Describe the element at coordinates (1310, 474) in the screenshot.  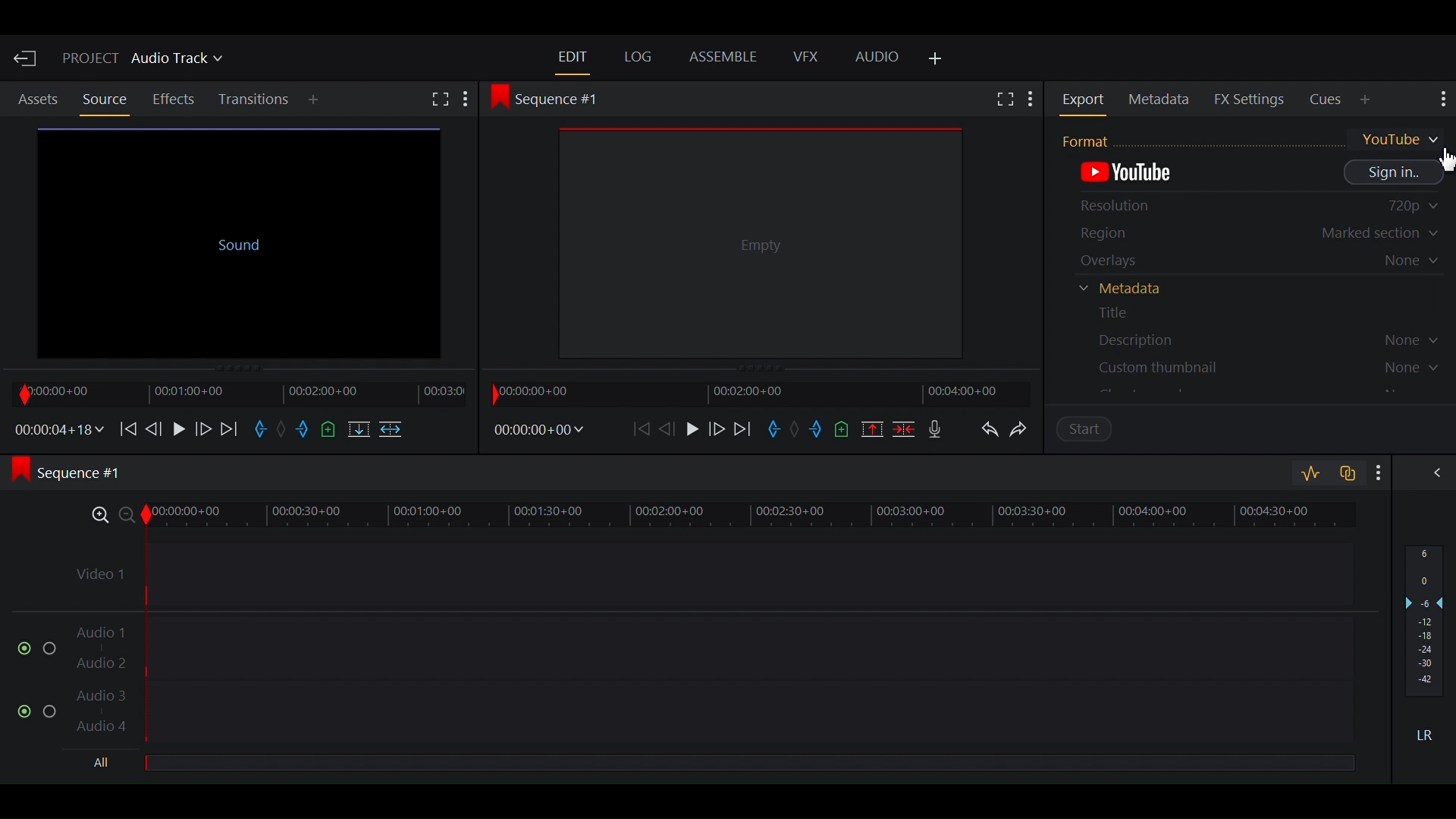
I see `Toggle audio editing levels` at that location.